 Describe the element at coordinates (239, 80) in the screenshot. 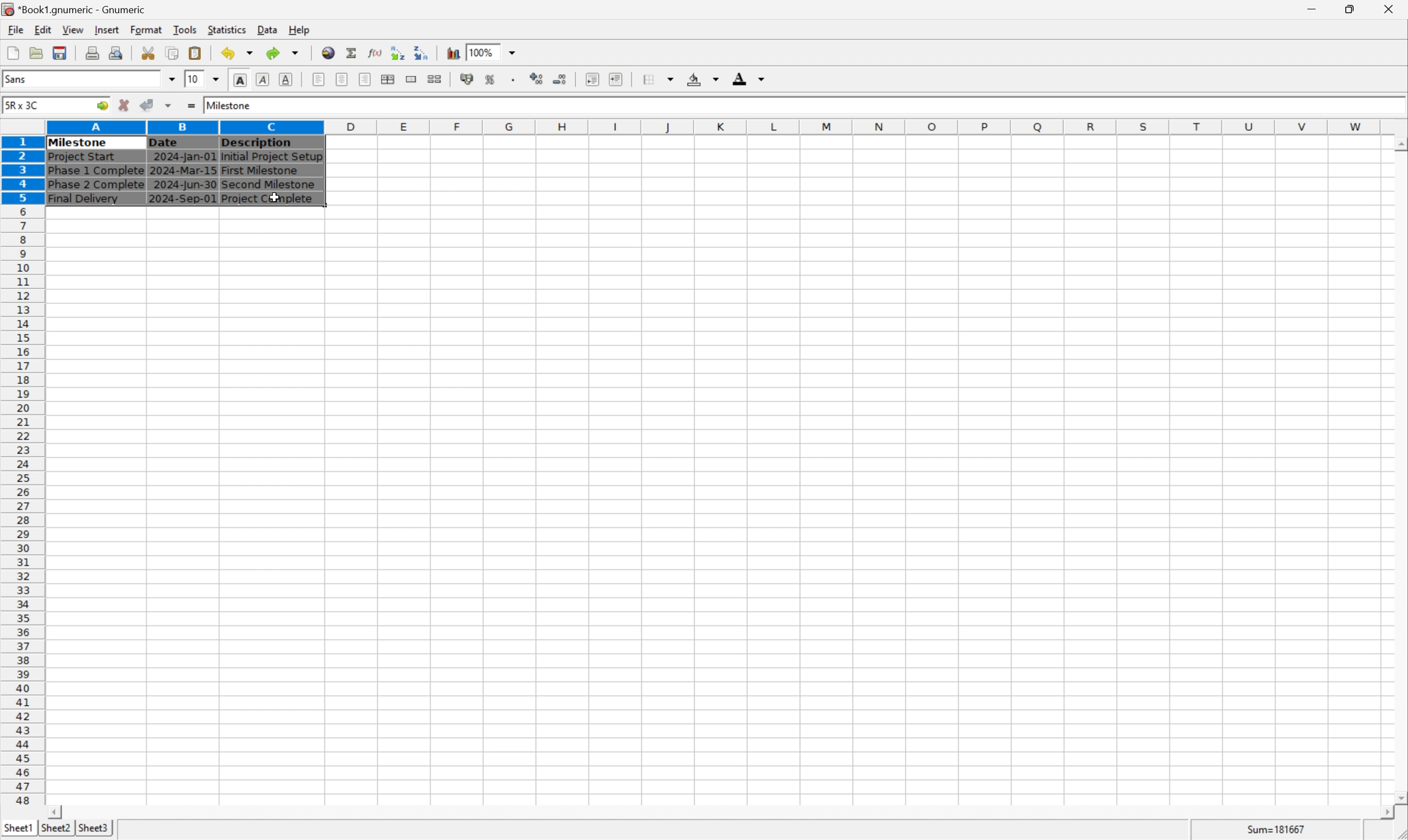

I see `bold` at that location.